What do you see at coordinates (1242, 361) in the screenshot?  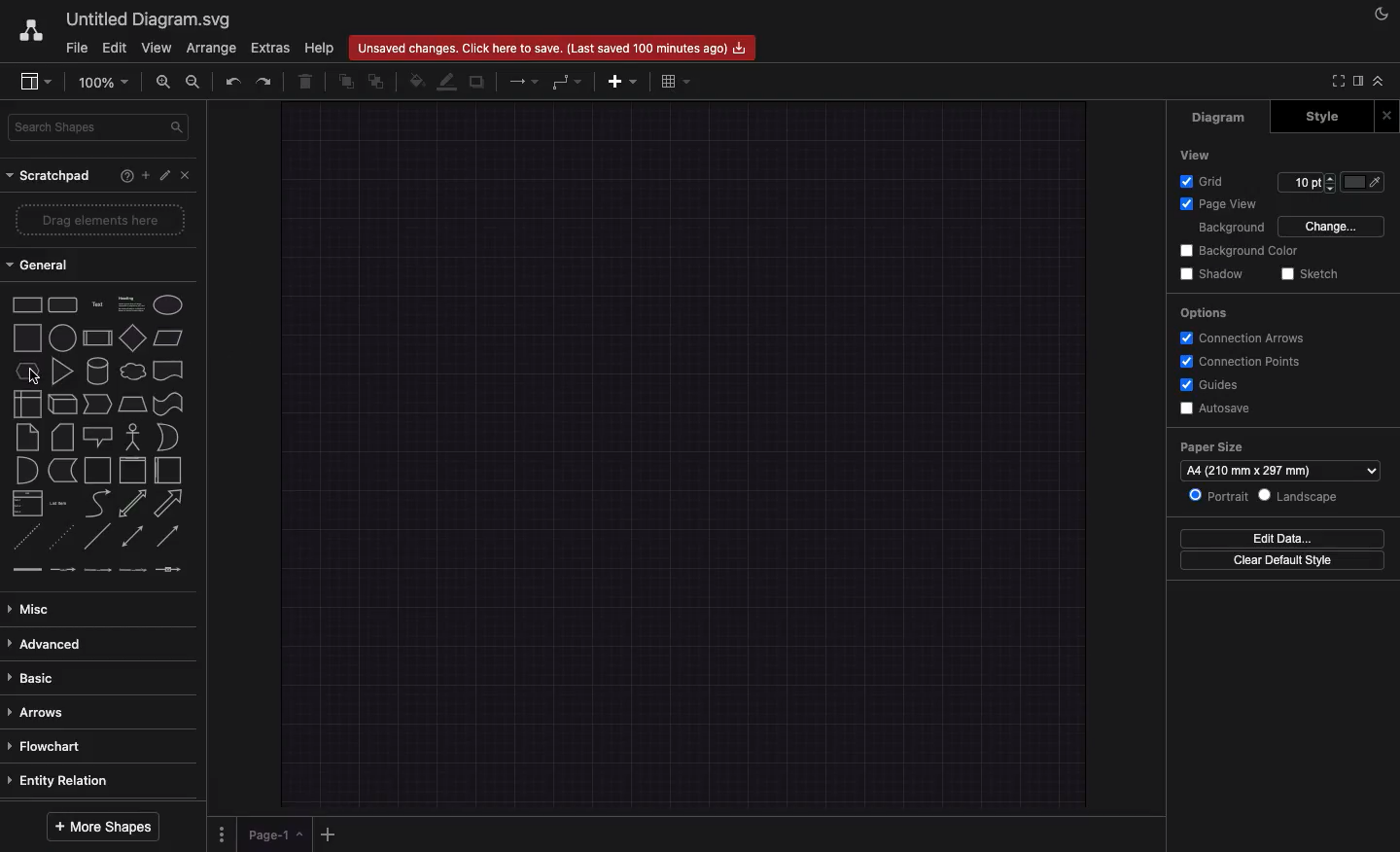 I see `Connection points` at bounding box center [1242, 361].